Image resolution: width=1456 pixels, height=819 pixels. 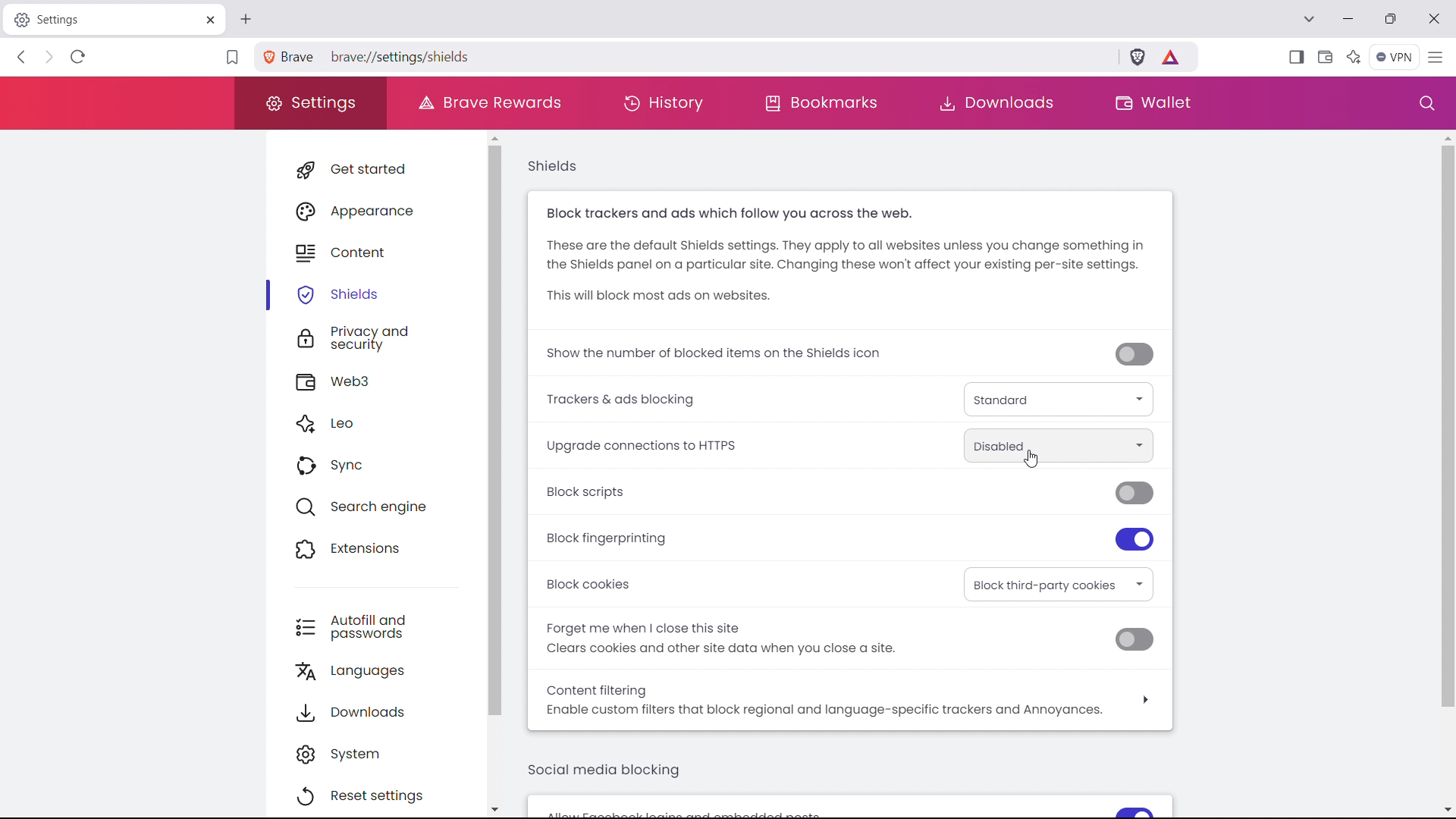 What do you see at coordinates (850, 699) in the screenshot?
I see `content filtering` at bounding box center [850, 699].